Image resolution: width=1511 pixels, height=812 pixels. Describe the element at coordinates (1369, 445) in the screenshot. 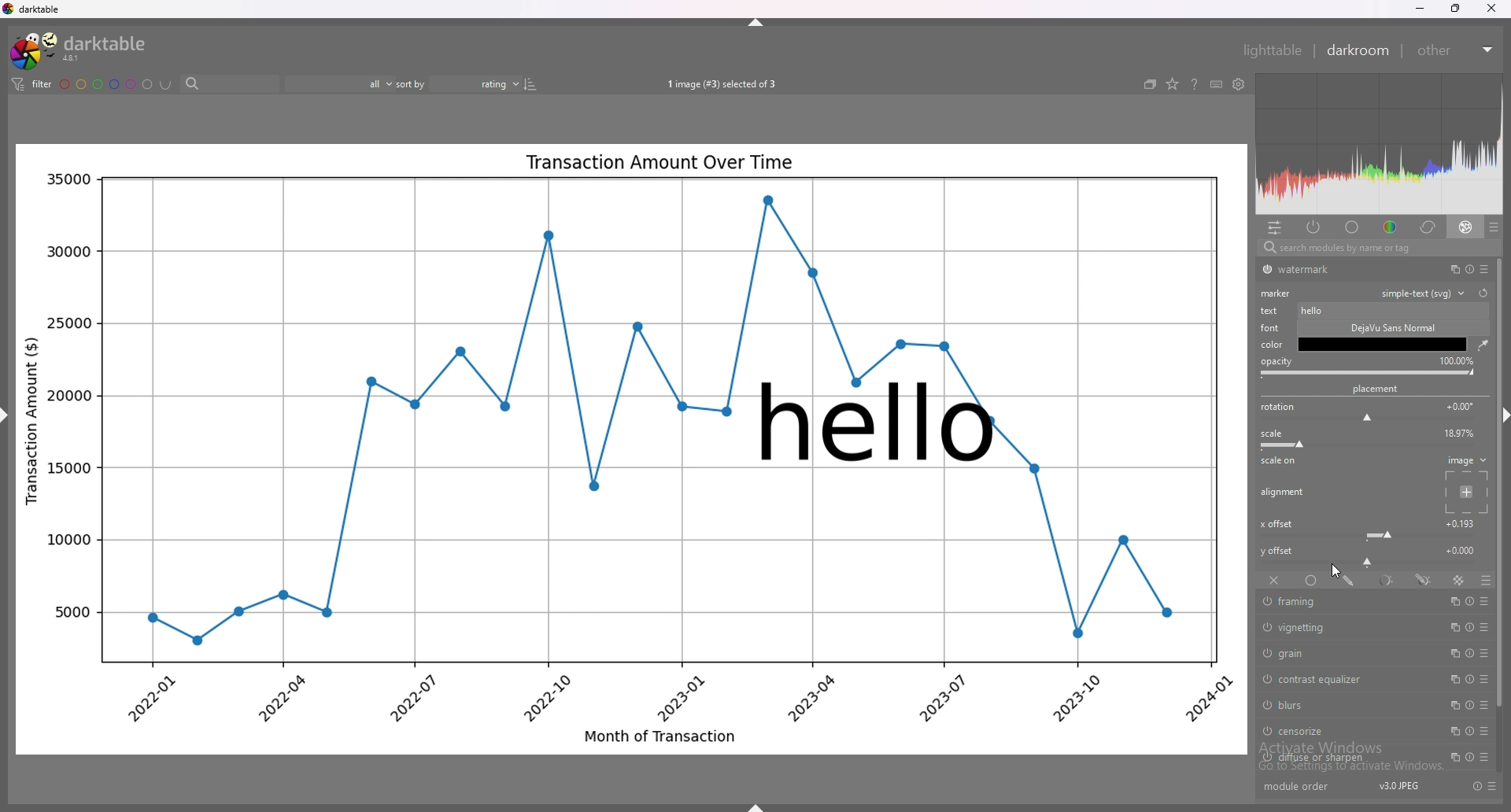

I see `scale bar` at that location.